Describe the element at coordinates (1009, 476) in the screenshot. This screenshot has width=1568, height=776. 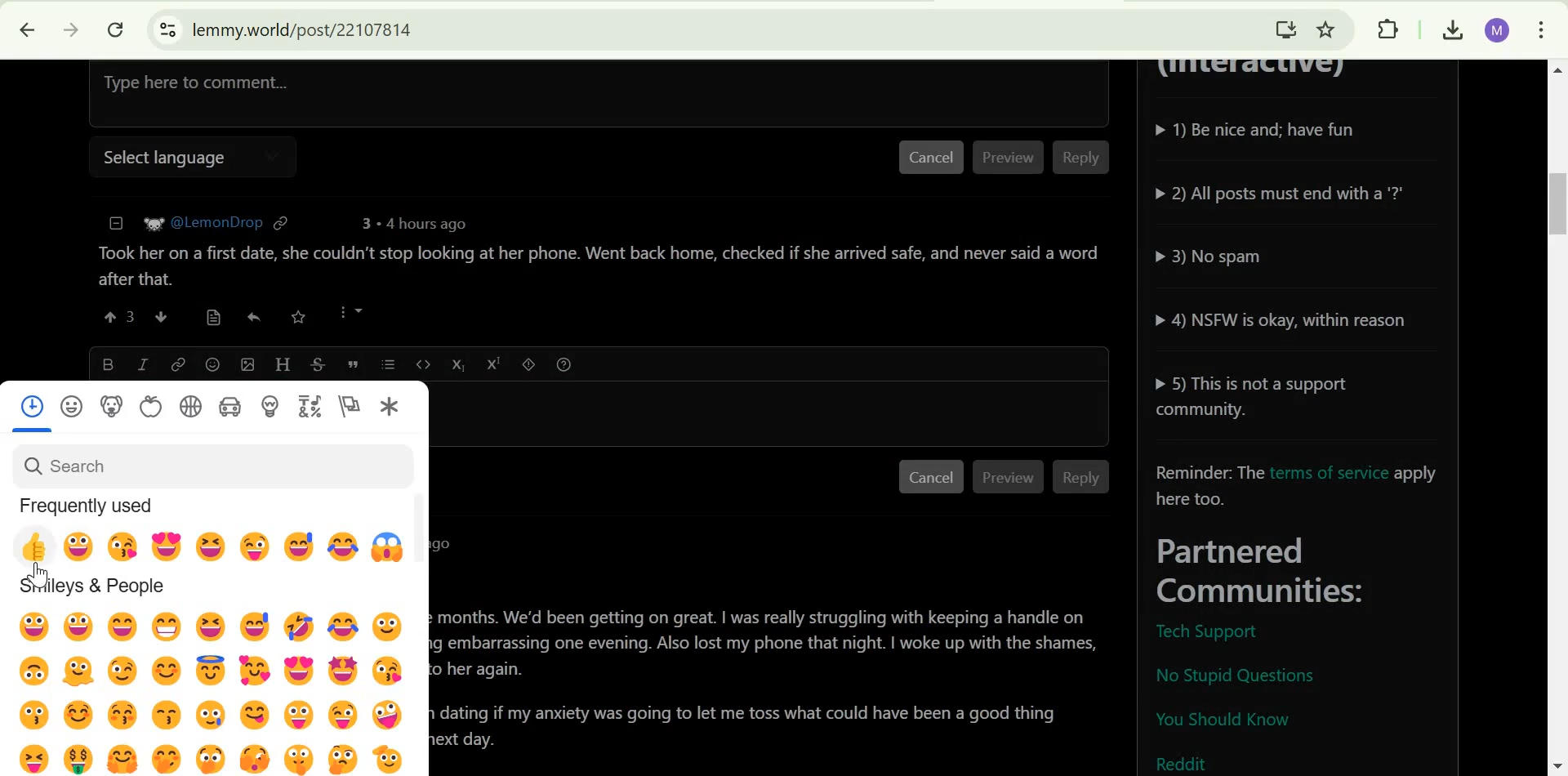
I see `Preview` at that location.